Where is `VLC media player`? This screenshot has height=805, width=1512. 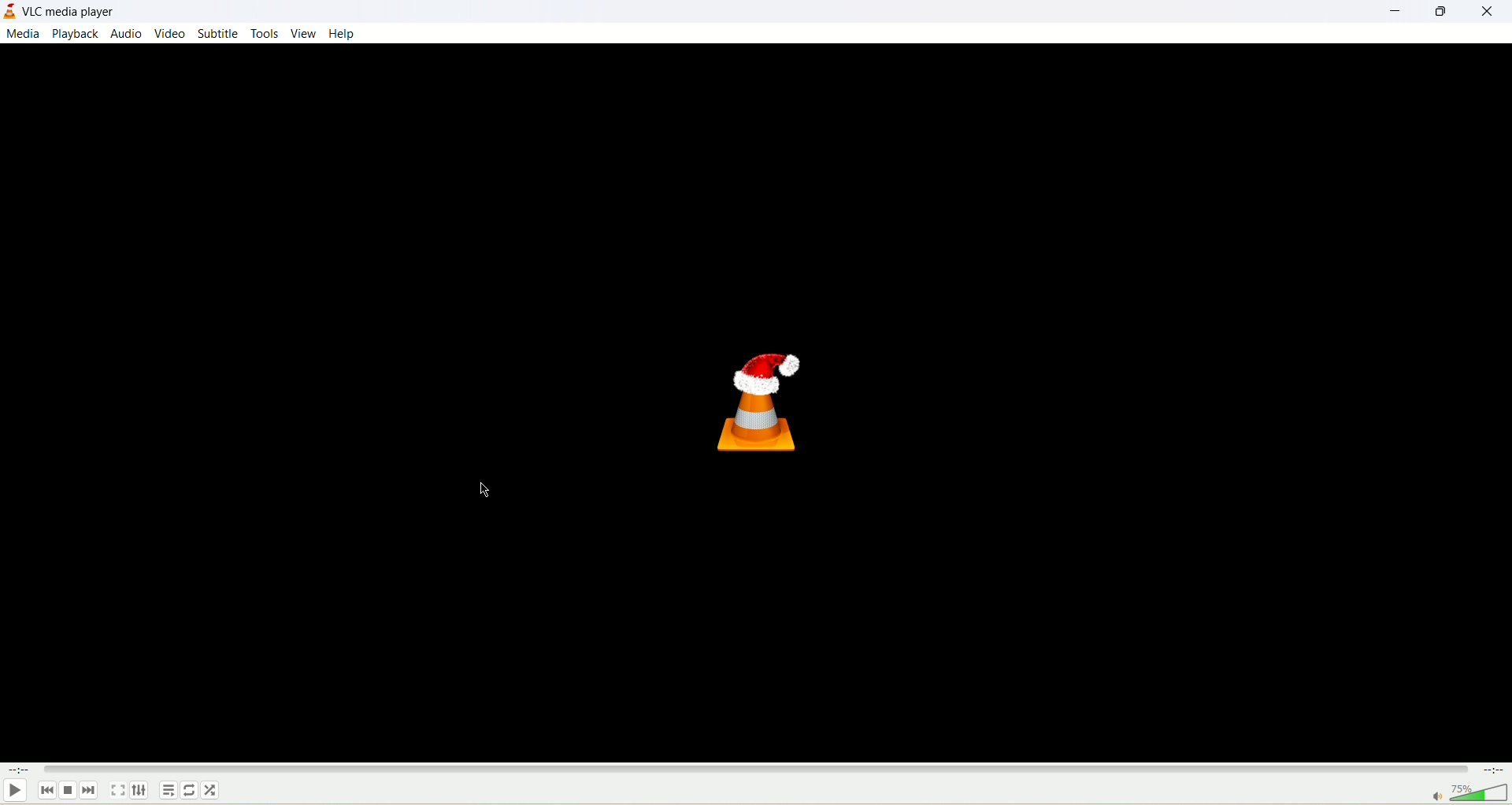 VLC media player is located at coordinates (72, 13).